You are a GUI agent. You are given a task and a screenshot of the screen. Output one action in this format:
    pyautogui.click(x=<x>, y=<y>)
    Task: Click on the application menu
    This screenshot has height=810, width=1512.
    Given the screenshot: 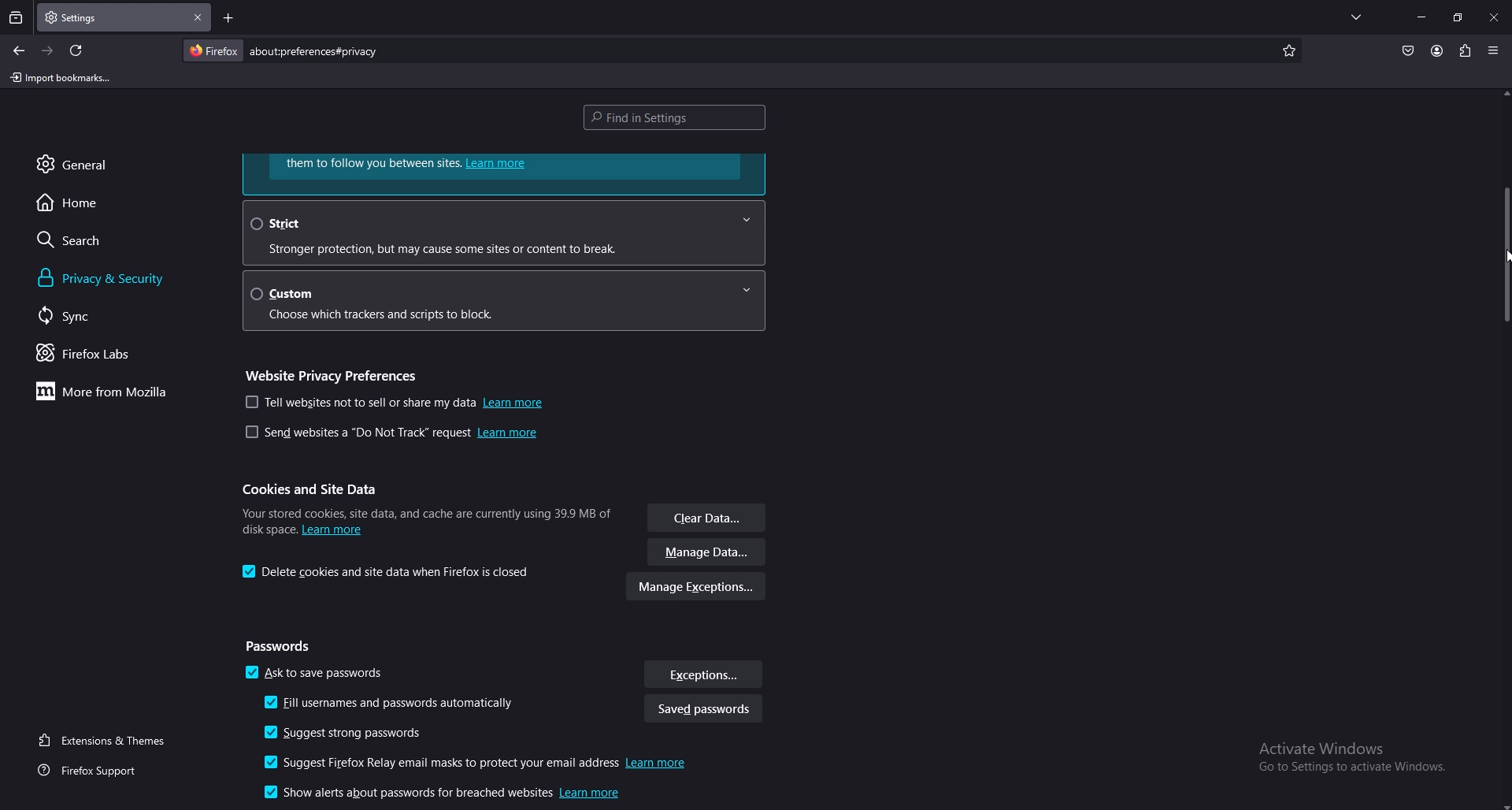 What is the action you would take?
    pyautogui.click(x=1494, y=49)
    